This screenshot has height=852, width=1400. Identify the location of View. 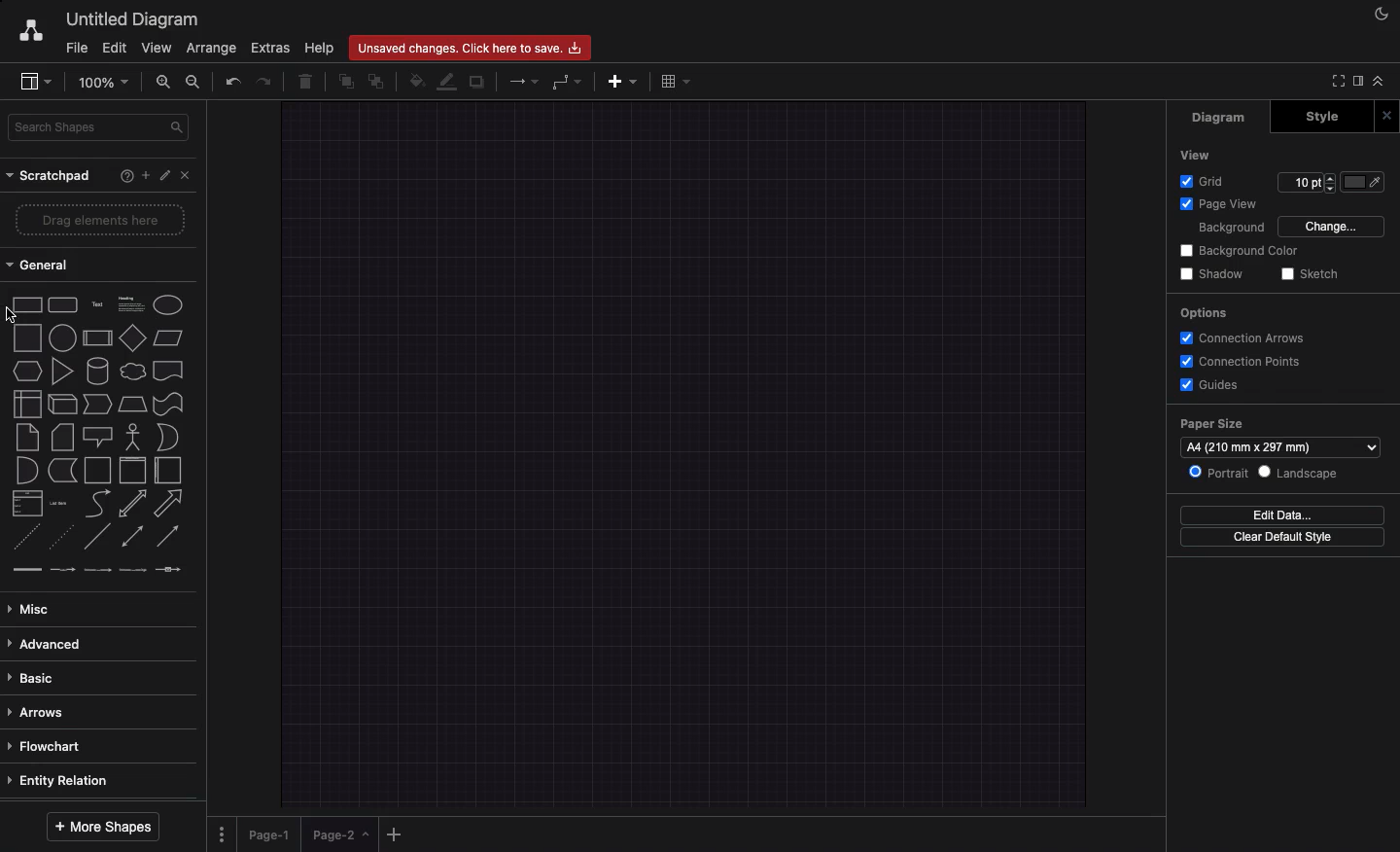
(158, 47).